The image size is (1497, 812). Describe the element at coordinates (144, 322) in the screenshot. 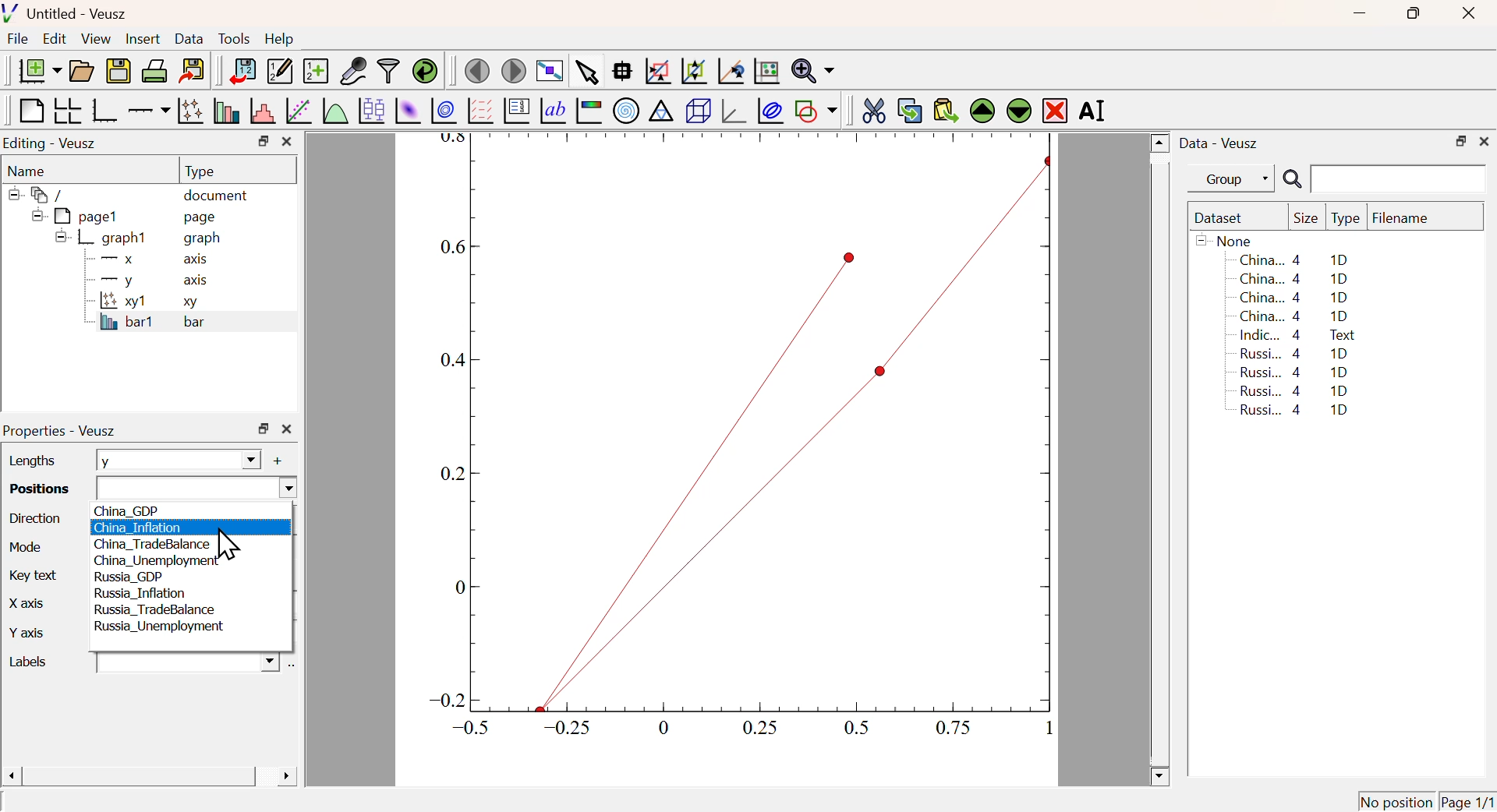

I see `bar1 bar` at that location.